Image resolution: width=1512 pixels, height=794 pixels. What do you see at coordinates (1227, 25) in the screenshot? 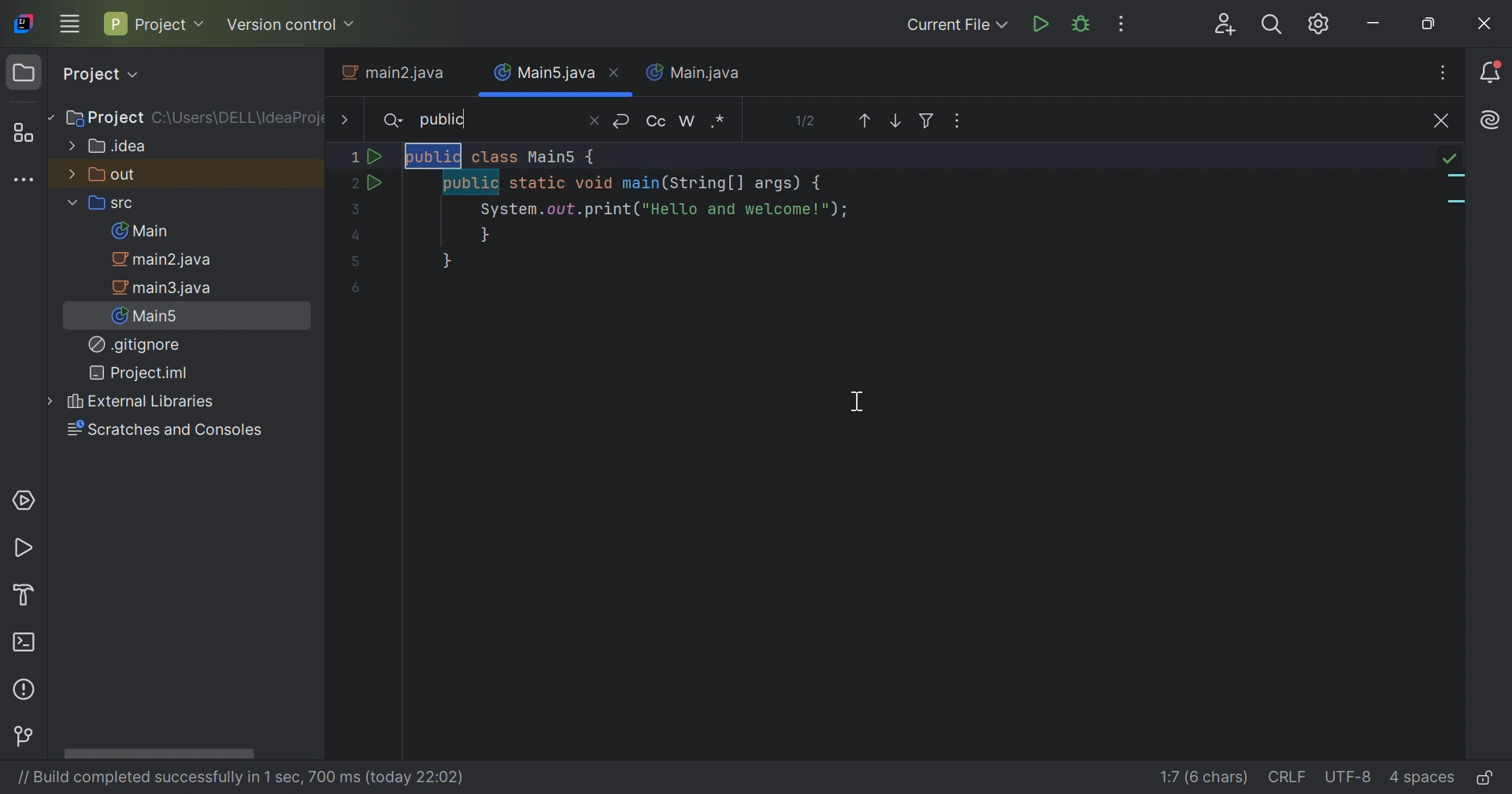
I see `Code With Me` at bounding box center [1227, 25].